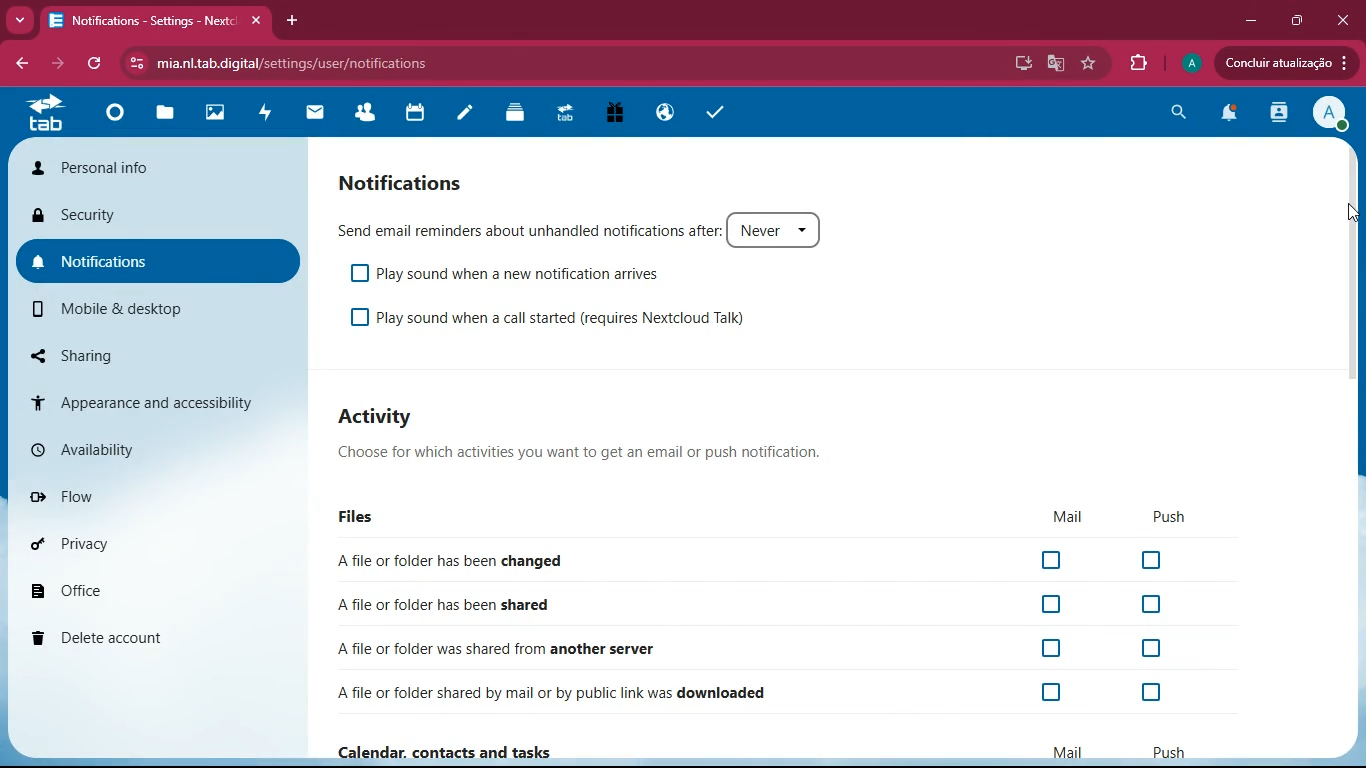 This screenshot has width=1366, height=768. Describe the element at coordinates (477, 605) in the screenshot. I see `A file or folder has been shared` at that location.